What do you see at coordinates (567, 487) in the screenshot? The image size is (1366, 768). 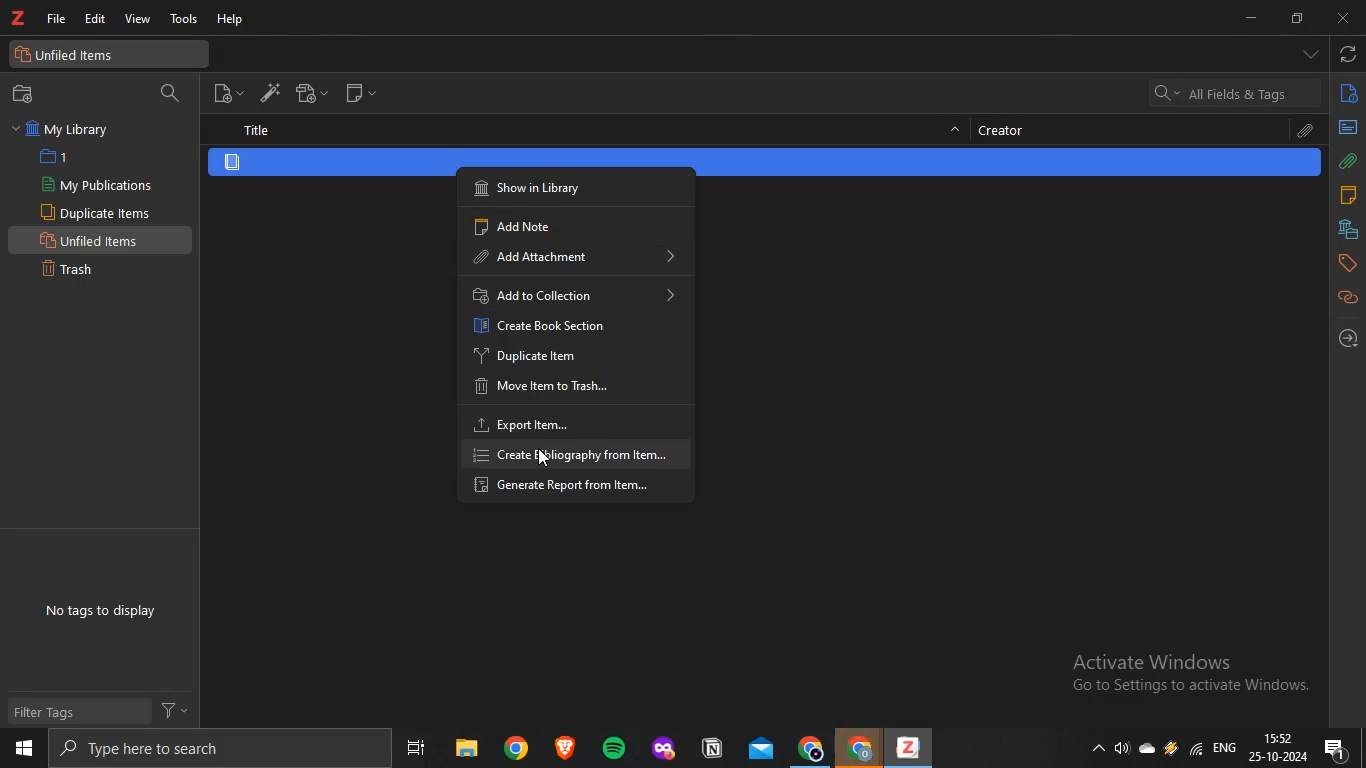 I see `Generate Report from Item...` at bounding box center [567, 487].